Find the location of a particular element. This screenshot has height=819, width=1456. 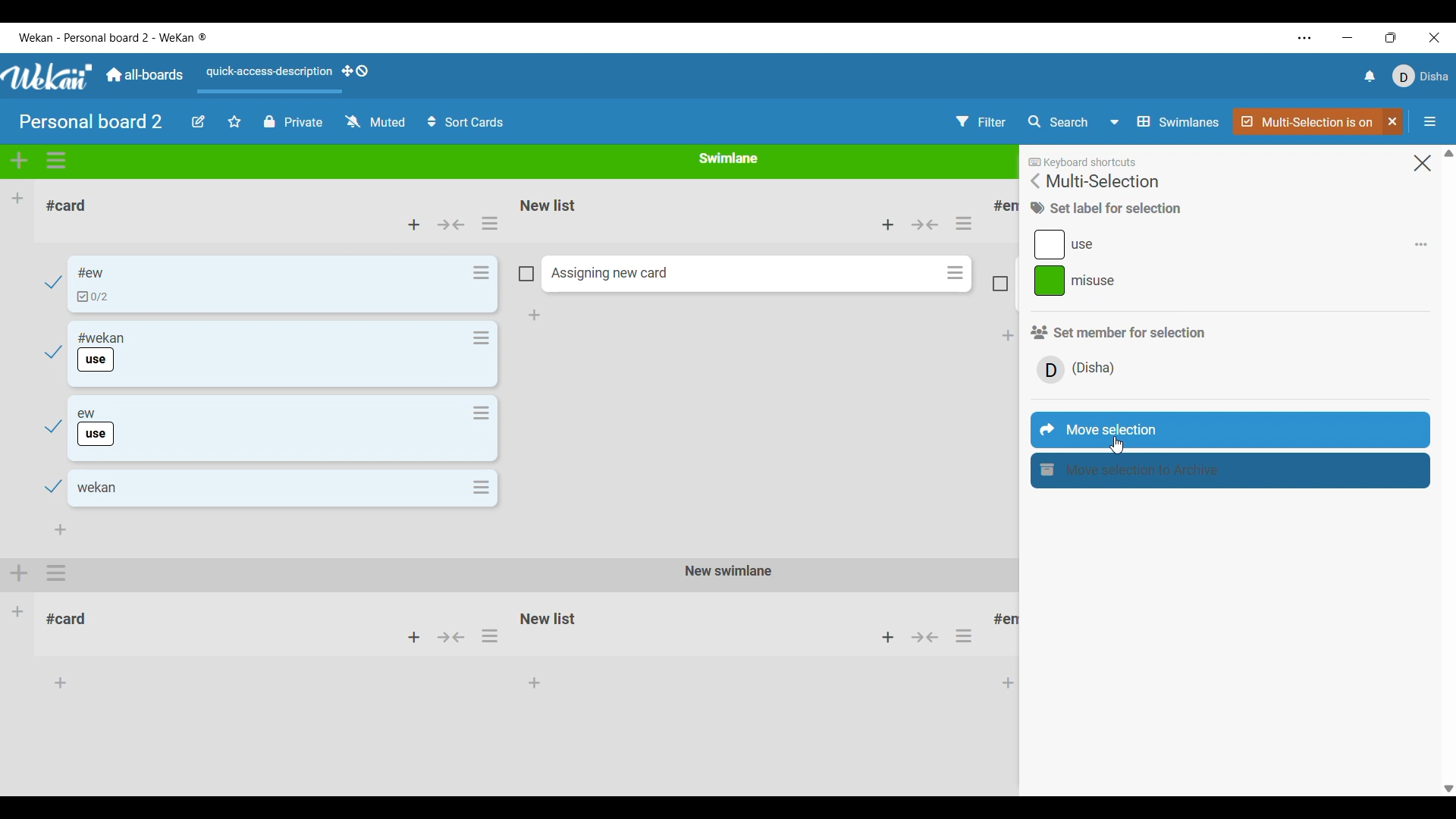

Quick slide to top is located at coordinates (1449, 153).